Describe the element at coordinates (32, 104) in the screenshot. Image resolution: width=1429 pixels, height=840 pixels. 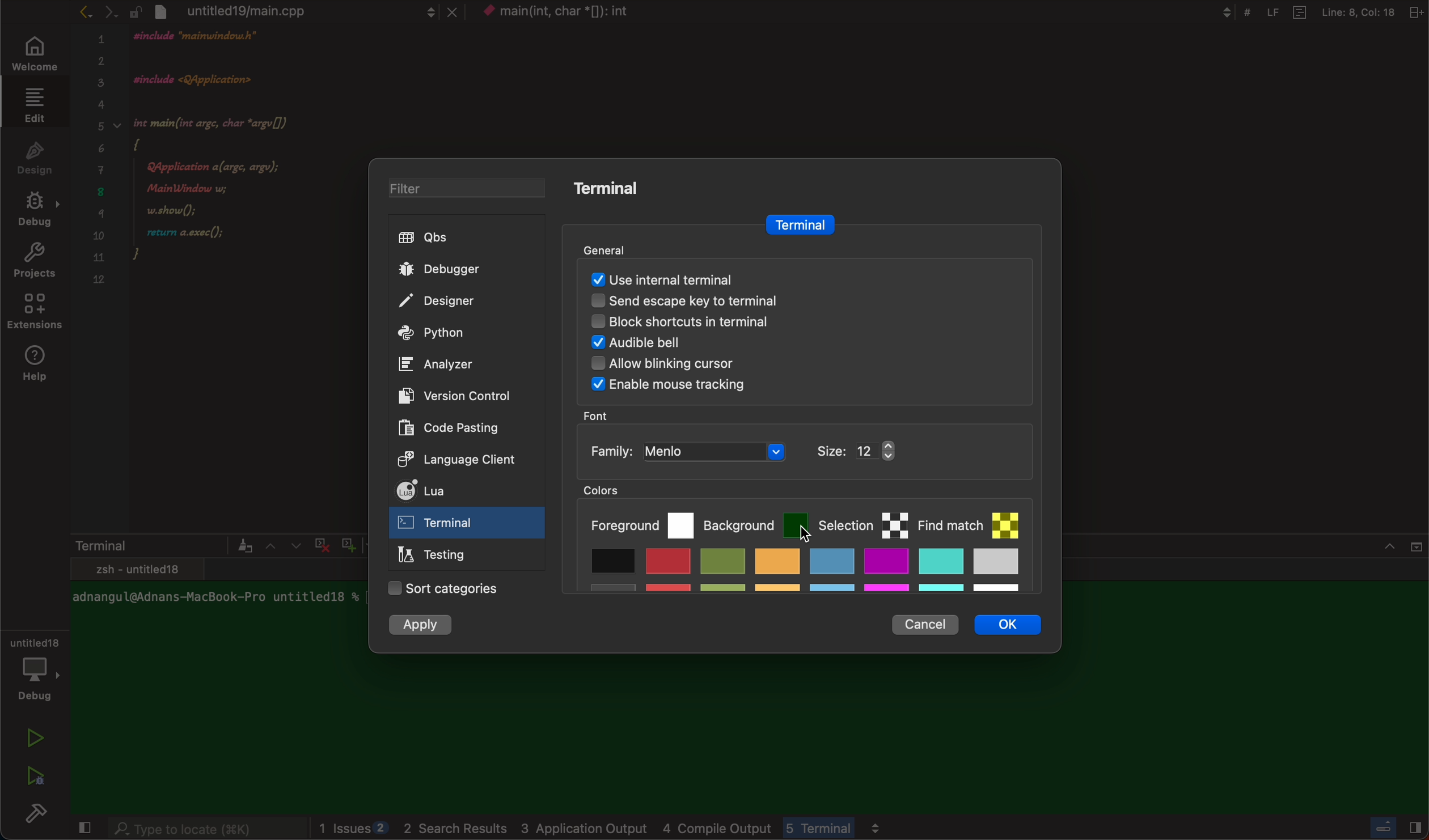
I see `edit` at that location.